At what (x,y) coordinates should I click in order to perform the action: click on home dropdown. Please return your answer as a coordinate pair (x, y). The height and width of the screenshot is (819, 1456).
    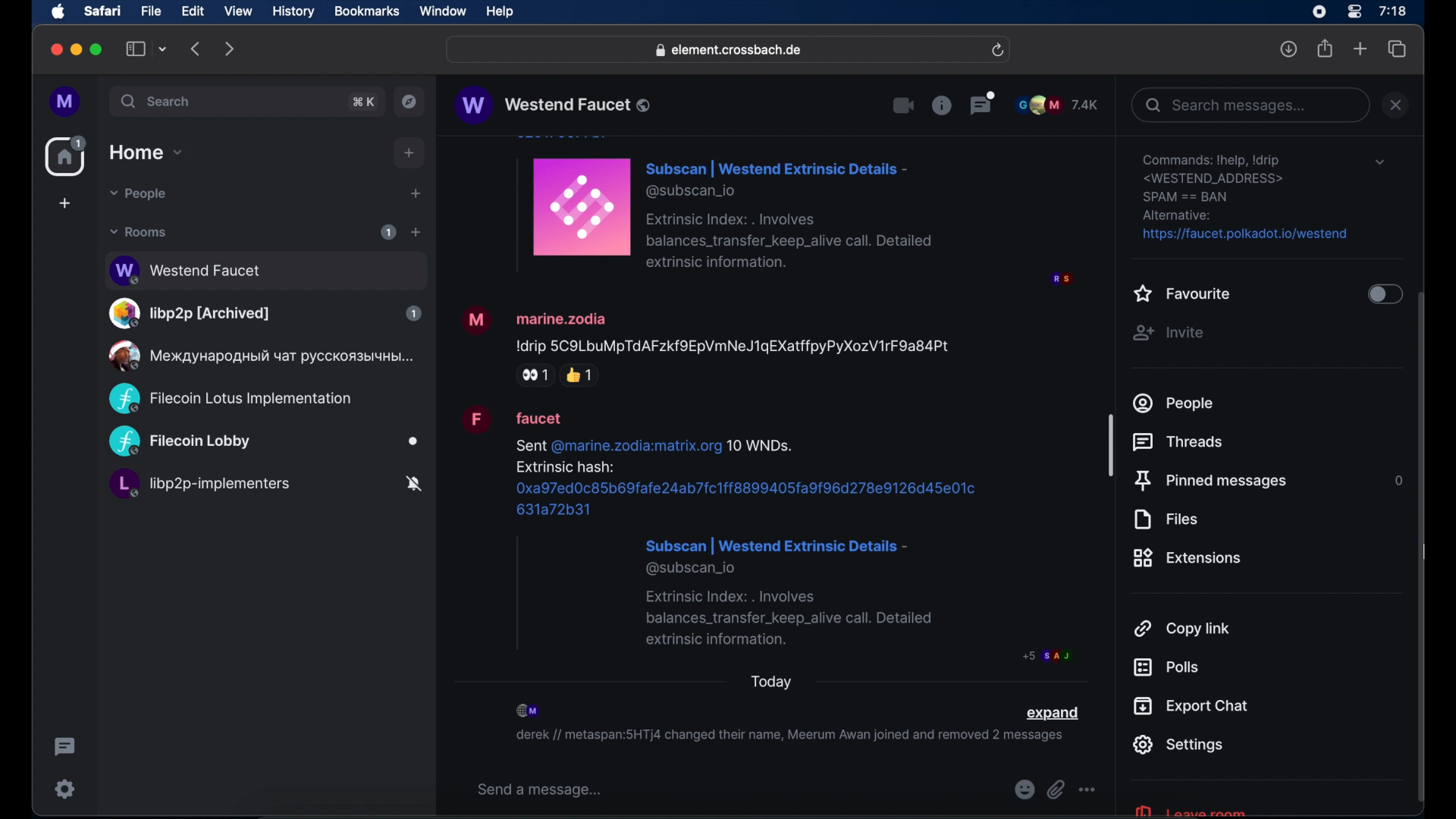
    Looking at the image, I should click on (146, 152).